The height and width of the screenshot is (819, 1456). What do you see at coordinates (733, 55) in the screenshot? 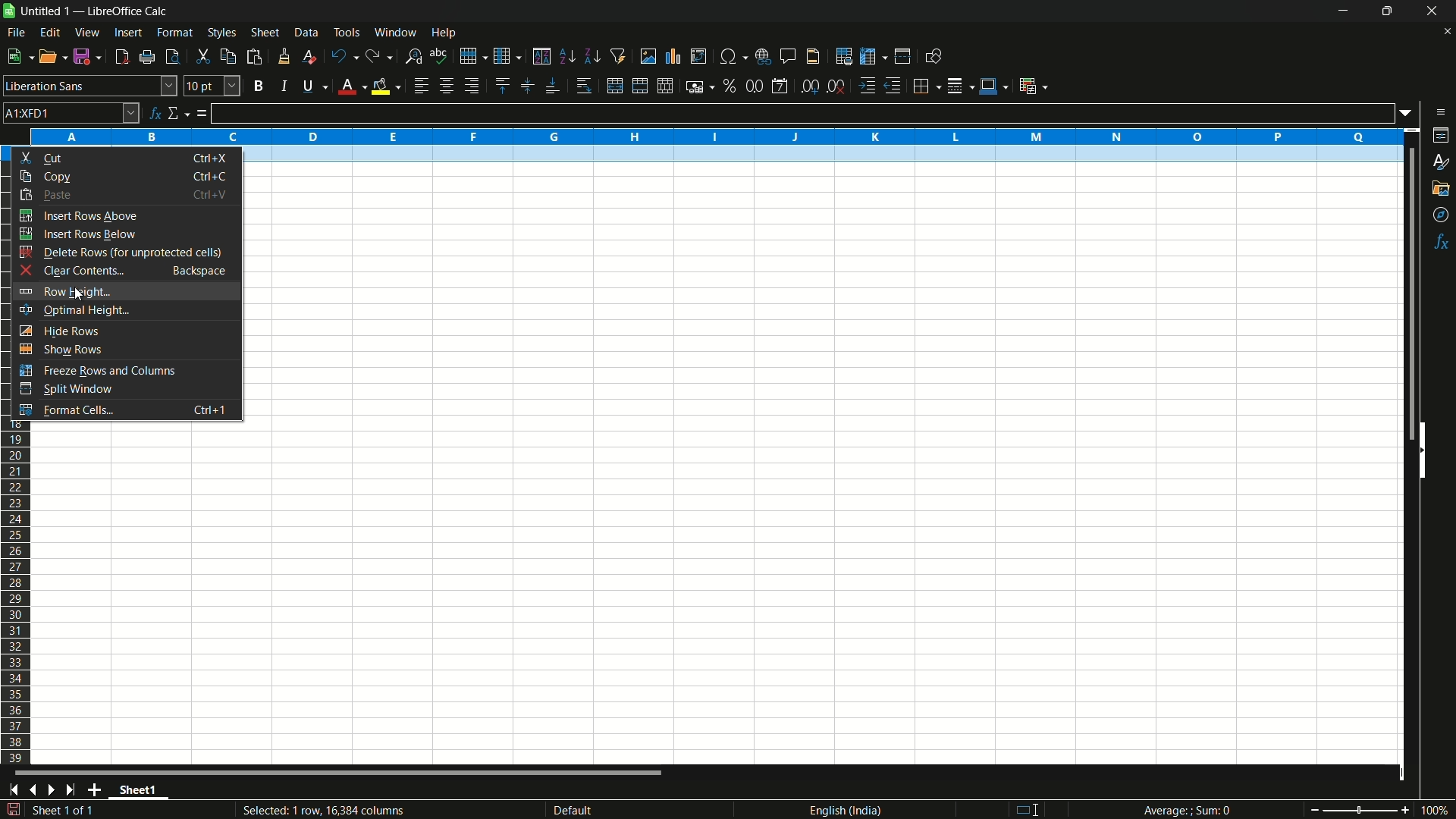
I see `insert special characters` at bounding box center [733, 55].